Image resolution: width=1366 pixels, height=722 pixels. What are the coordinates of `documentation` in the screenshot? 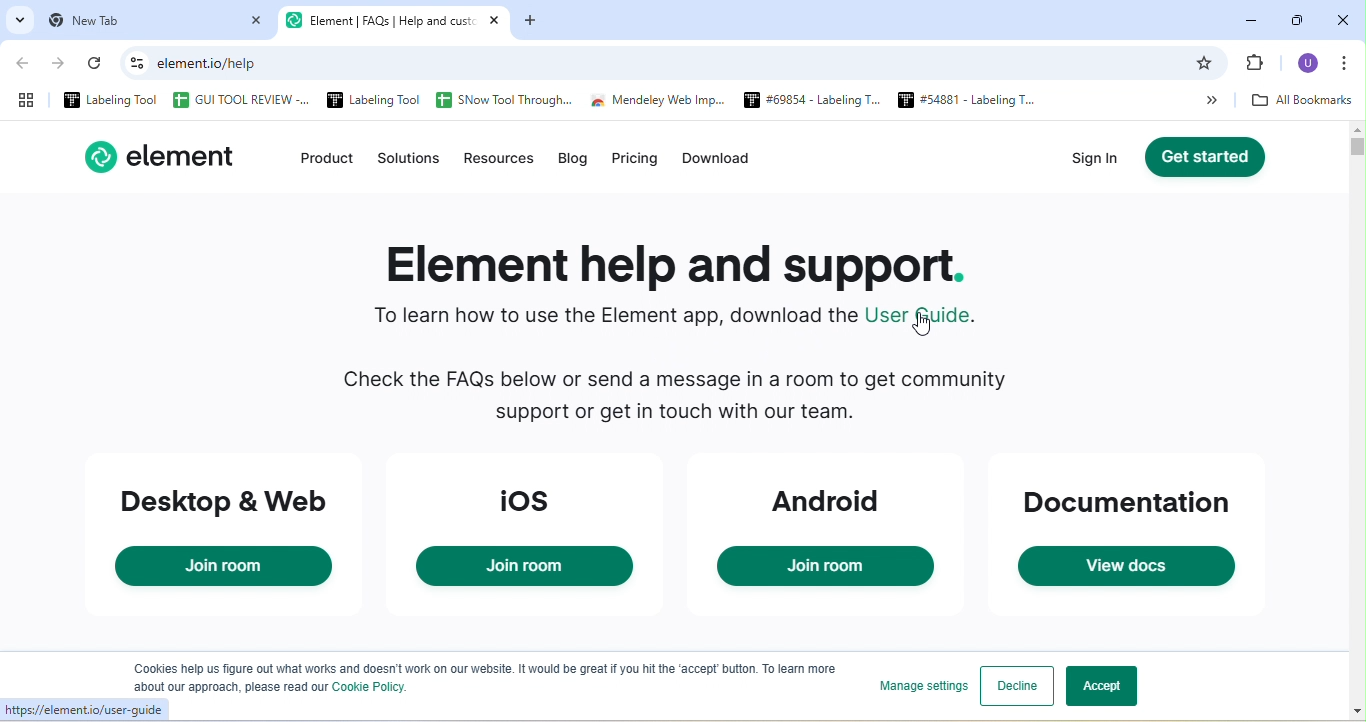 It's located at (1140, 502).